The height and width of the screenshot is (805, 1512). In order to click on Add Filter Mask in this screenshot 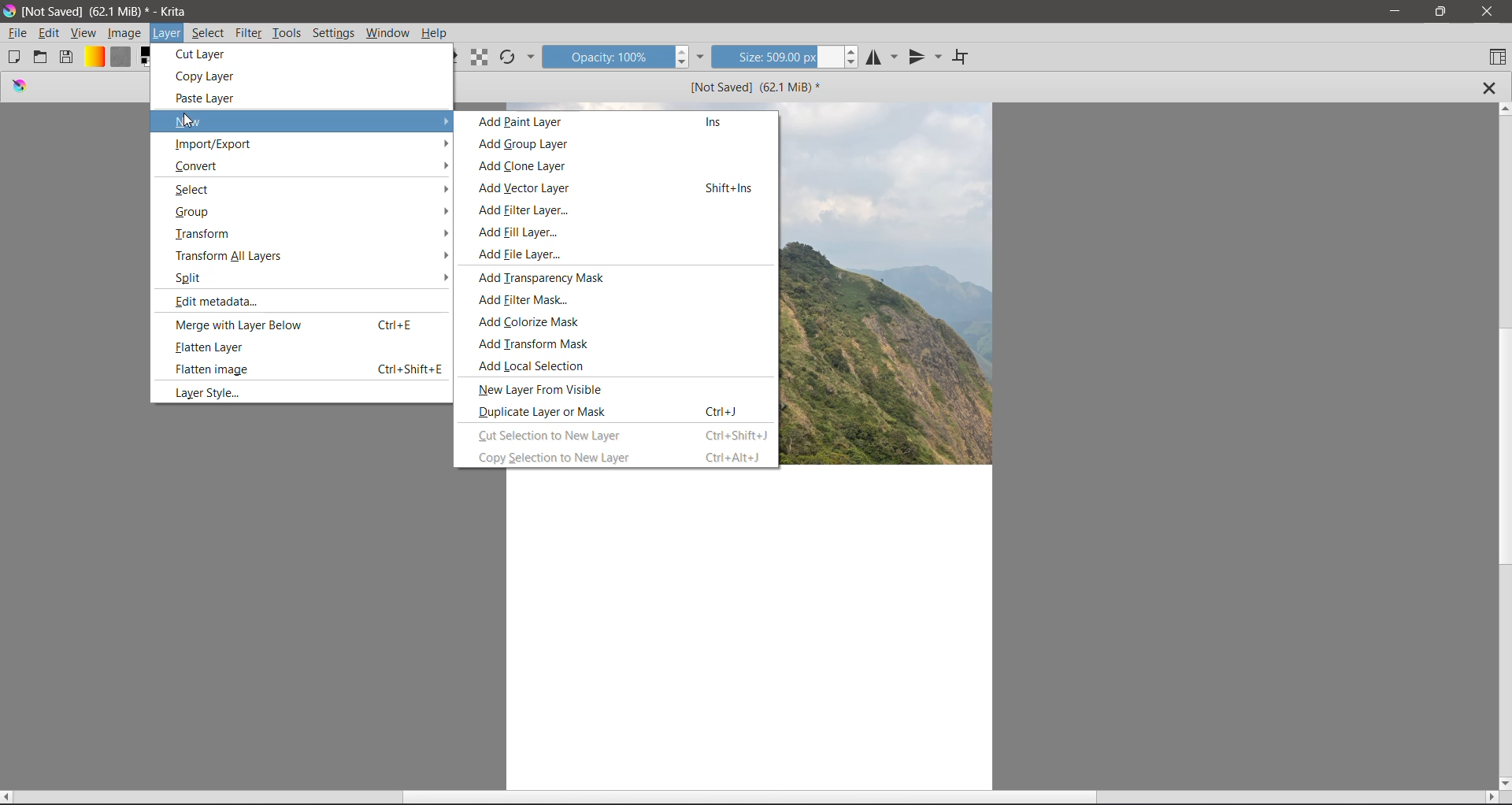, I will do `click(525, 299)`.